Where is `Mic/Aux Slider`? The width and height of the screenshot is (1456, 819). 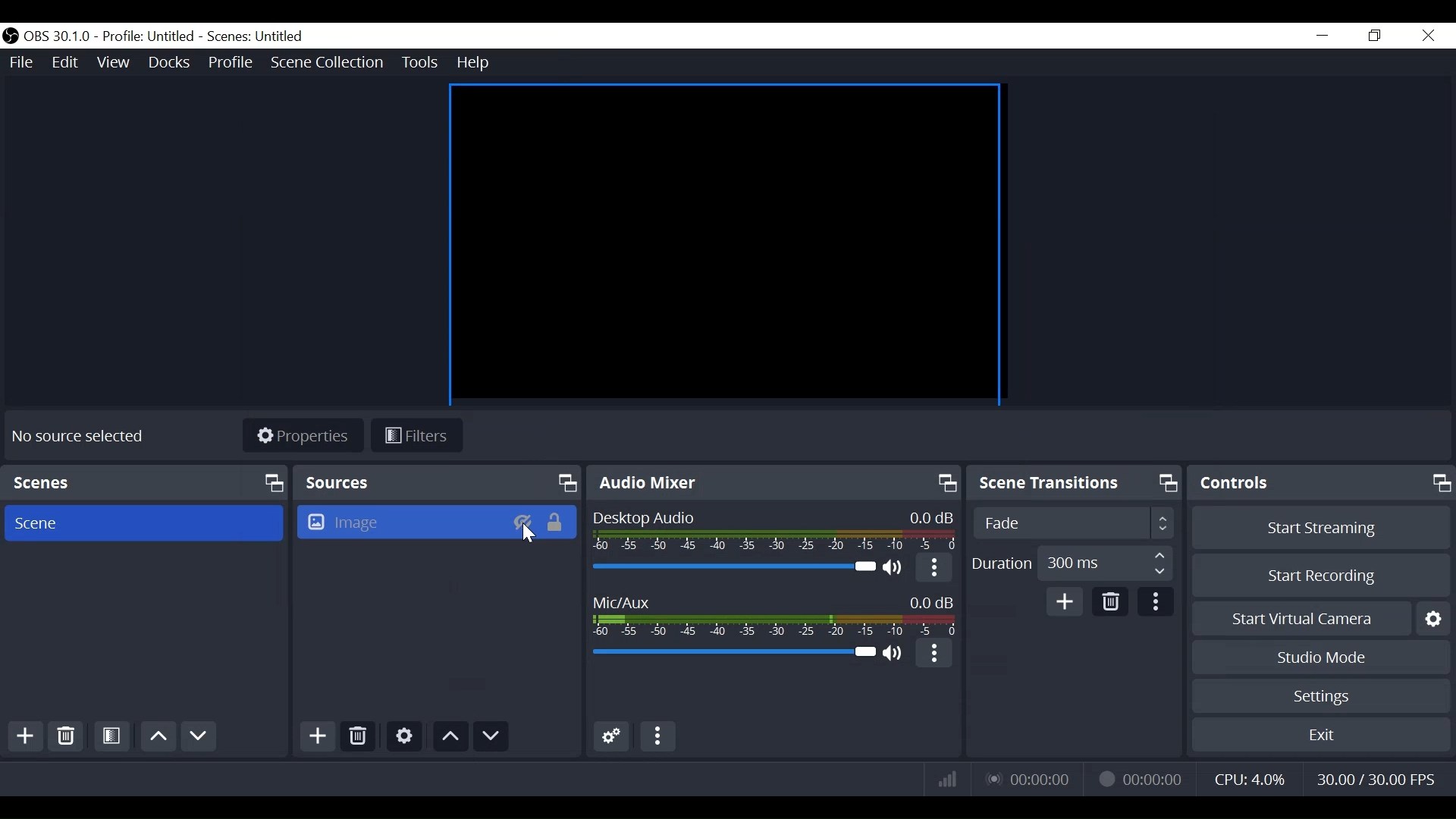 Mic/Aux Slider is located at coordinates (731, 655).